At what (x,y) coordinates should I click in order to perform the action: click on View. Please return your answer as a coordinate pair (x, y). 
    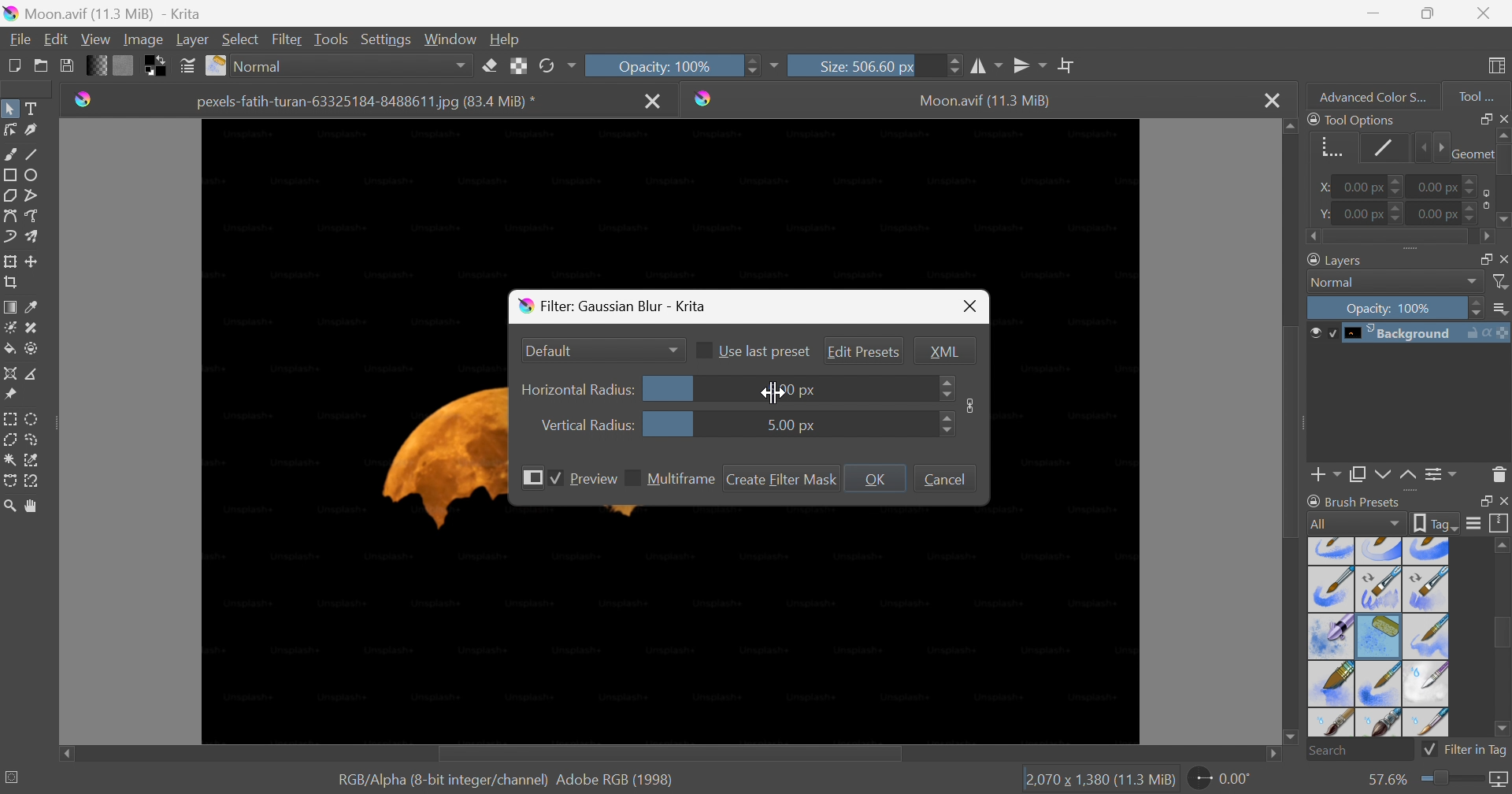
    Looking at the image, I should click on (95, 40).